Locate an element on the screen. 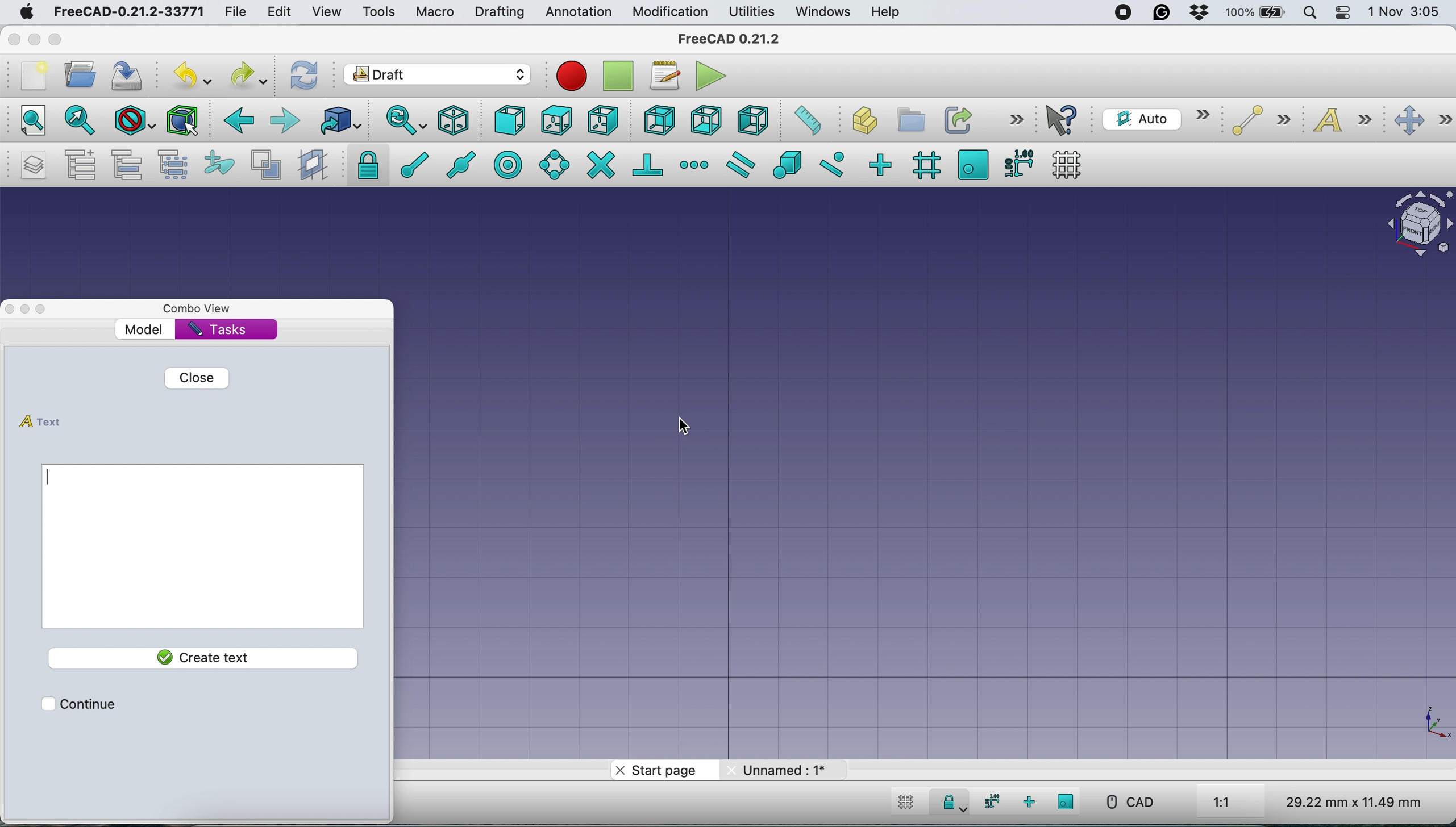 The width and height of the screenshot is (1456, 827). snap working plane is located at coordinates (970, 164).